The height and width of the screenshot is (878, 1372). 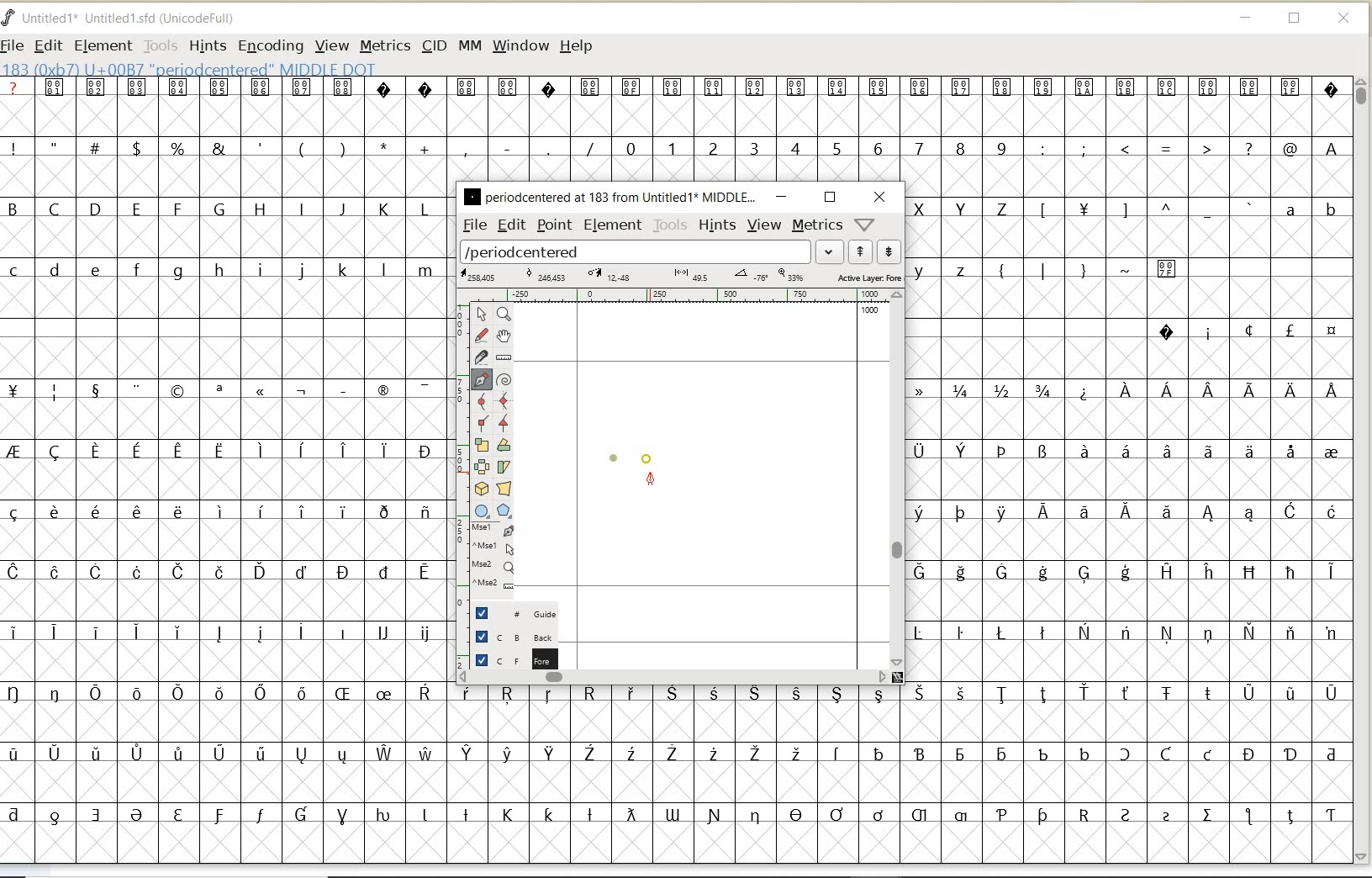 What do you see at coordinates (863, 225) in the screenshot?
I see `help/window` at bounding box center [863, 225].